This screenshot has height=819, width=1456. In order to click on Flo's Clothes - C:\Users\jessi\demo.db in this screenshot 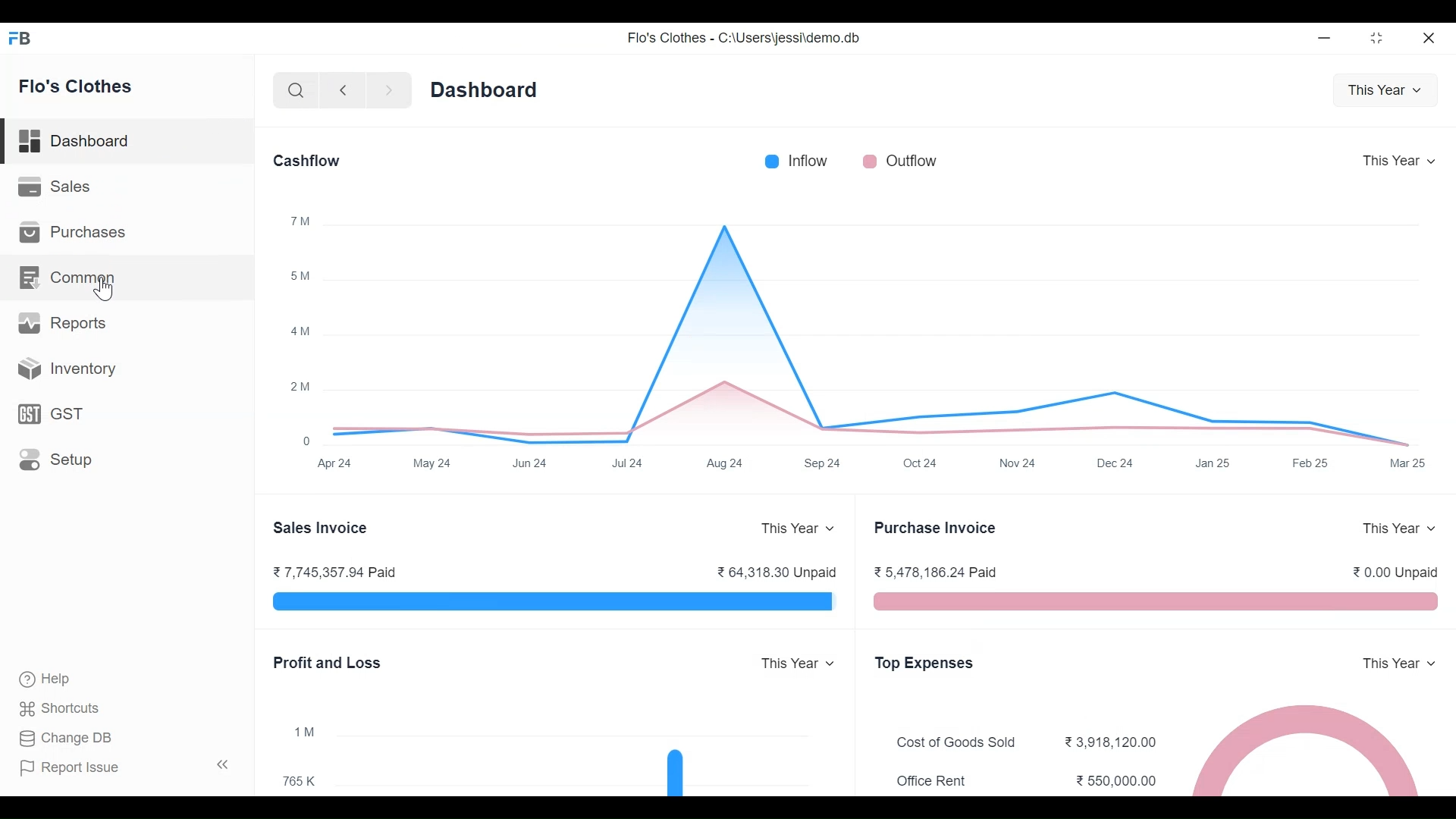, I will do `click(746, 38)`.